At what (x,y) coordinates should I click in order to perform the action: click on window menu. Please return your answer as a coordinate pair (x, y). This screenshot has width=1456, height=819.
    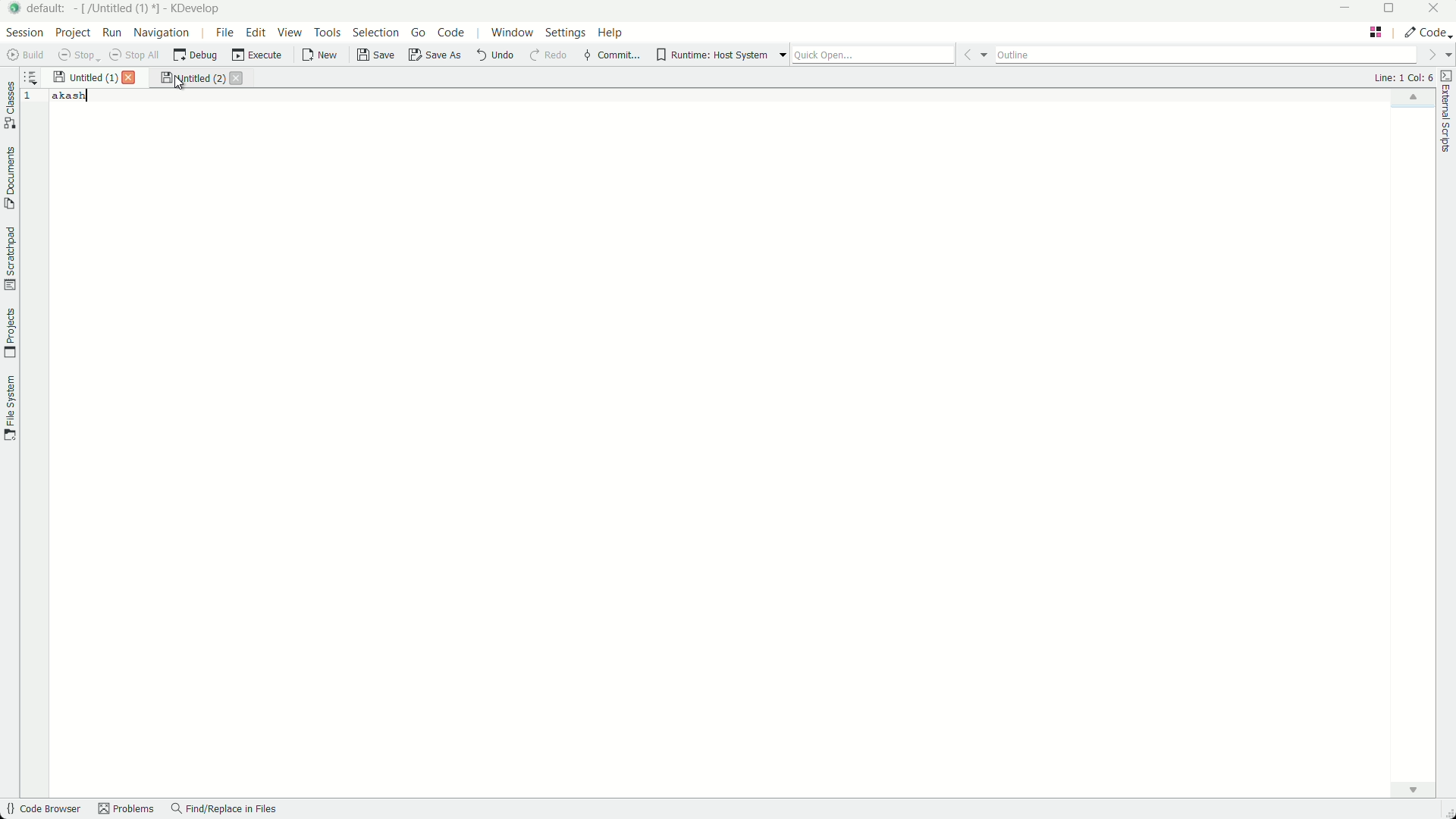
    Looking at the image, I should click on (512, 34).